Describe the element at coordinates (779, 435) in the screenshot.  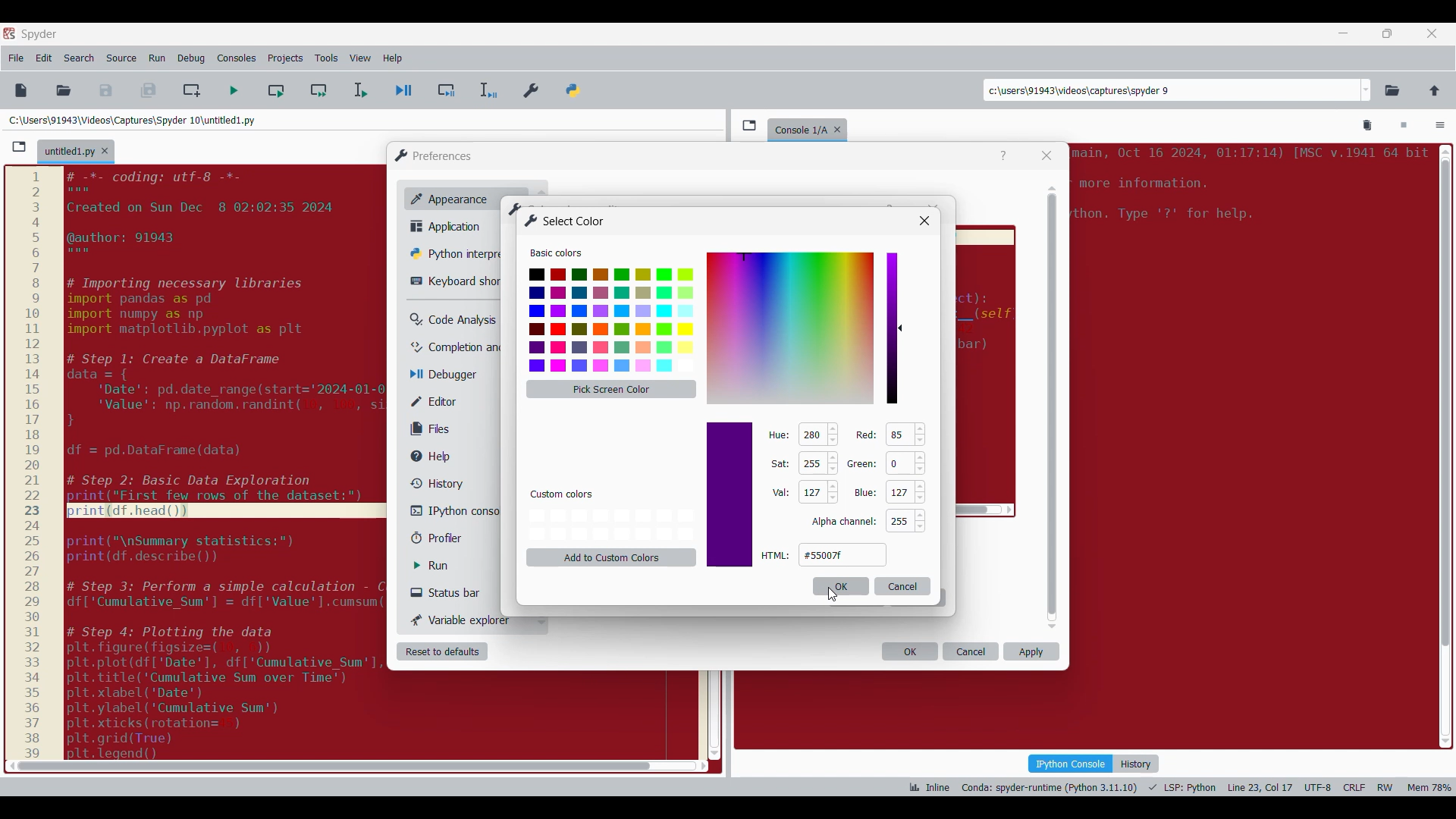
I see `hue` at that location.